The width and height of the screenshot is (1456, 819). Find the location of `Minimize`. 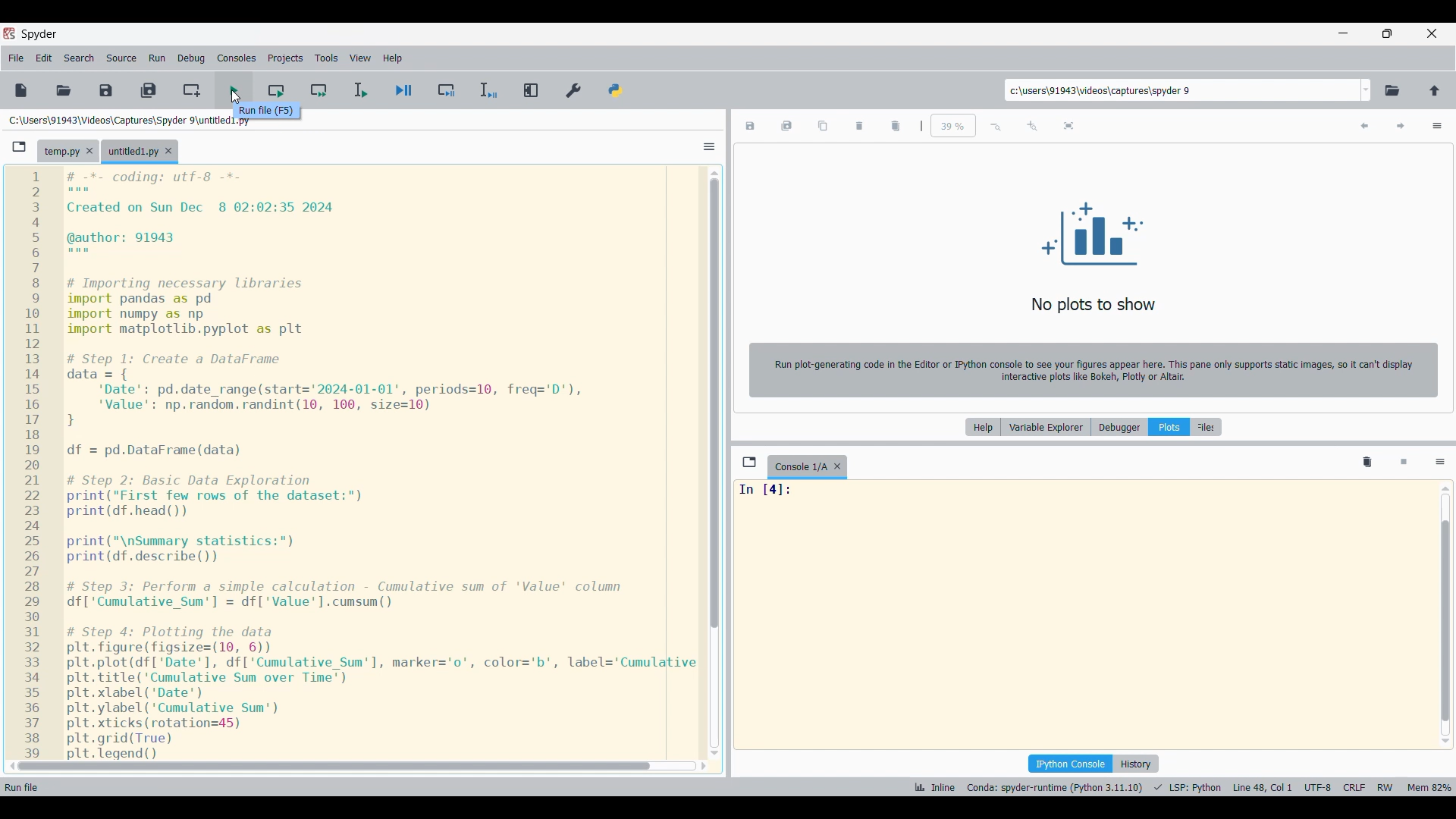

Minimize is located at coordinates (1343, 34).